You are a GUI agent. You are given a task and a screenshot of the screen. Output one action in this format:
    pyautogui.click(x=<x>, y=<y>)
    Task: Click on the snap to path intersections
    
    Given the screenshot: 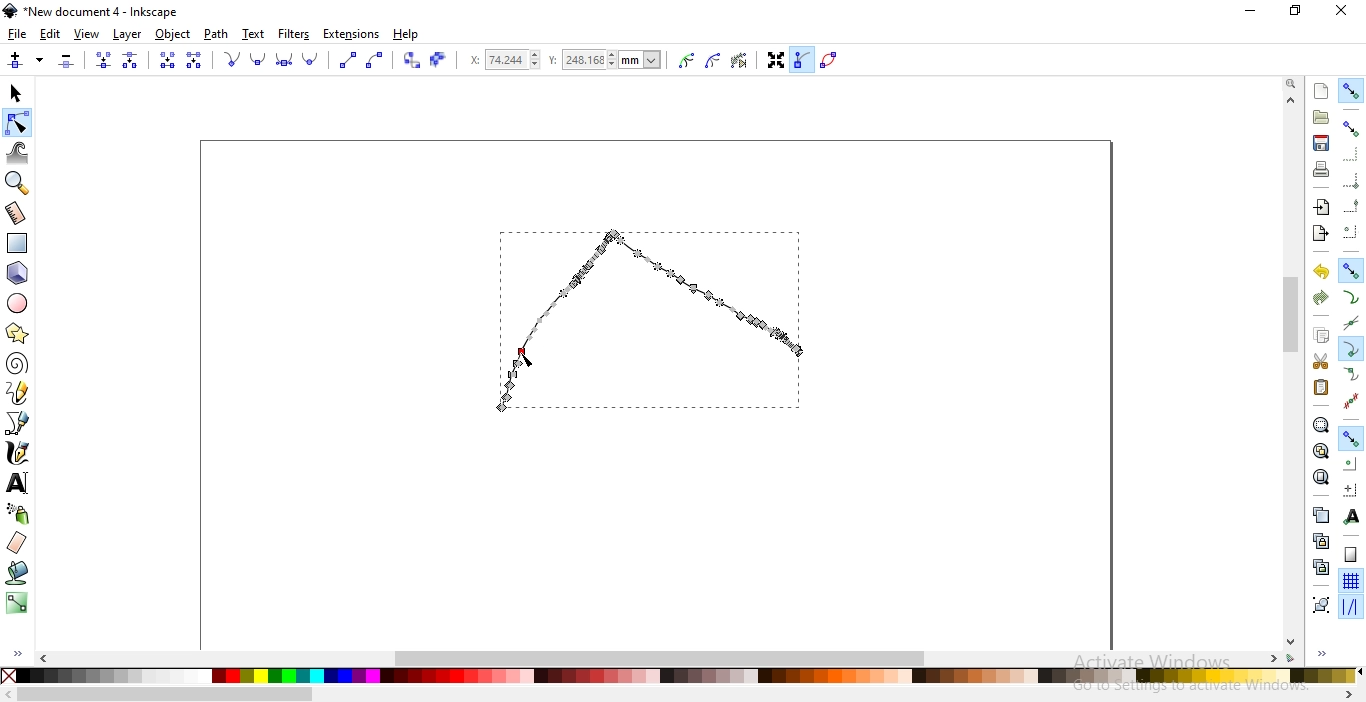 What is the action you would take?
    pyautogui.click(x=1348, y=322)
    